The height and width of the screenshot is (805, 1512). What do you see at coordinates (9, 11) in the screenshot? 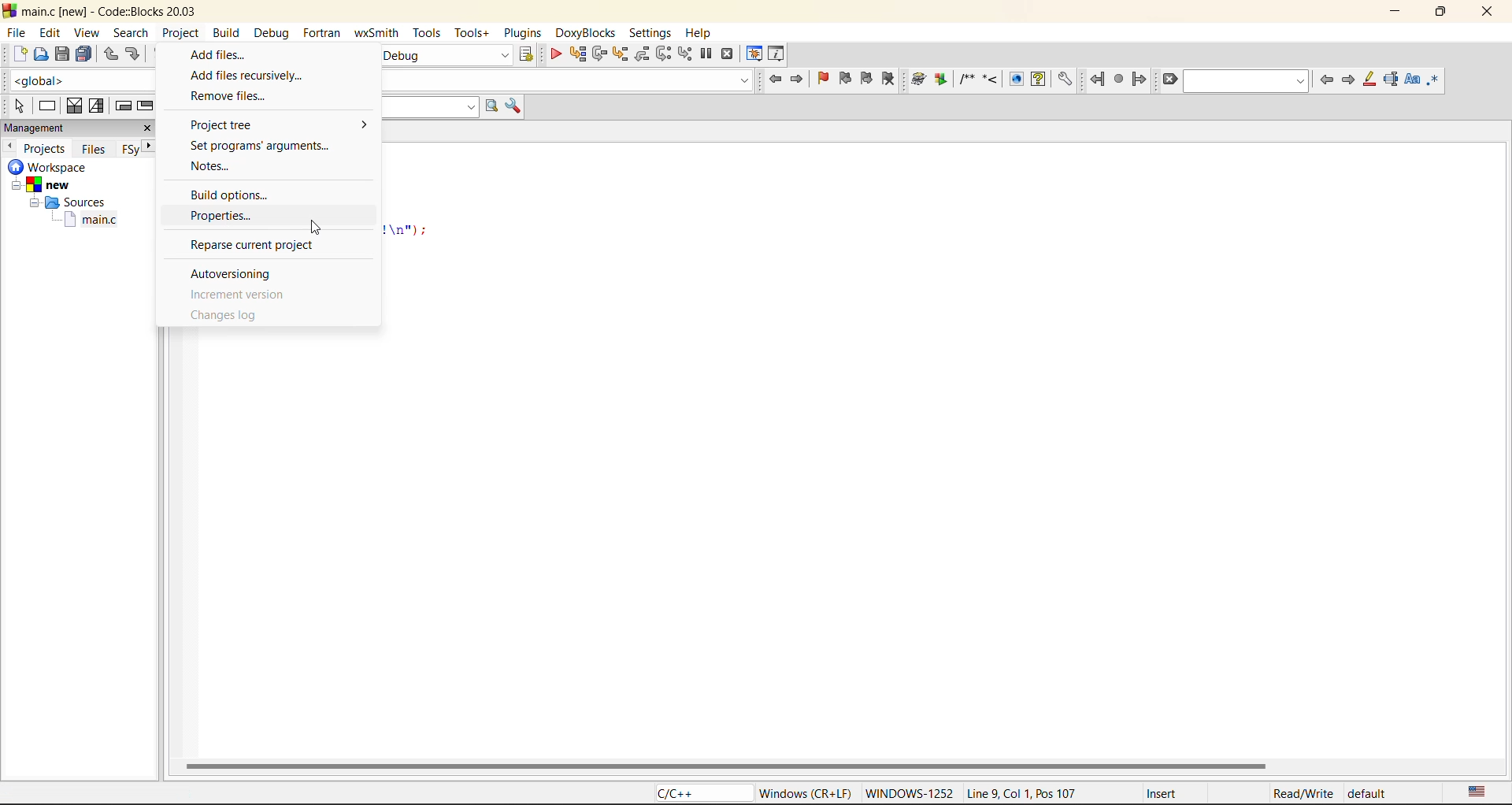
I see `code blocks logo` at bounding box center [9, 11].